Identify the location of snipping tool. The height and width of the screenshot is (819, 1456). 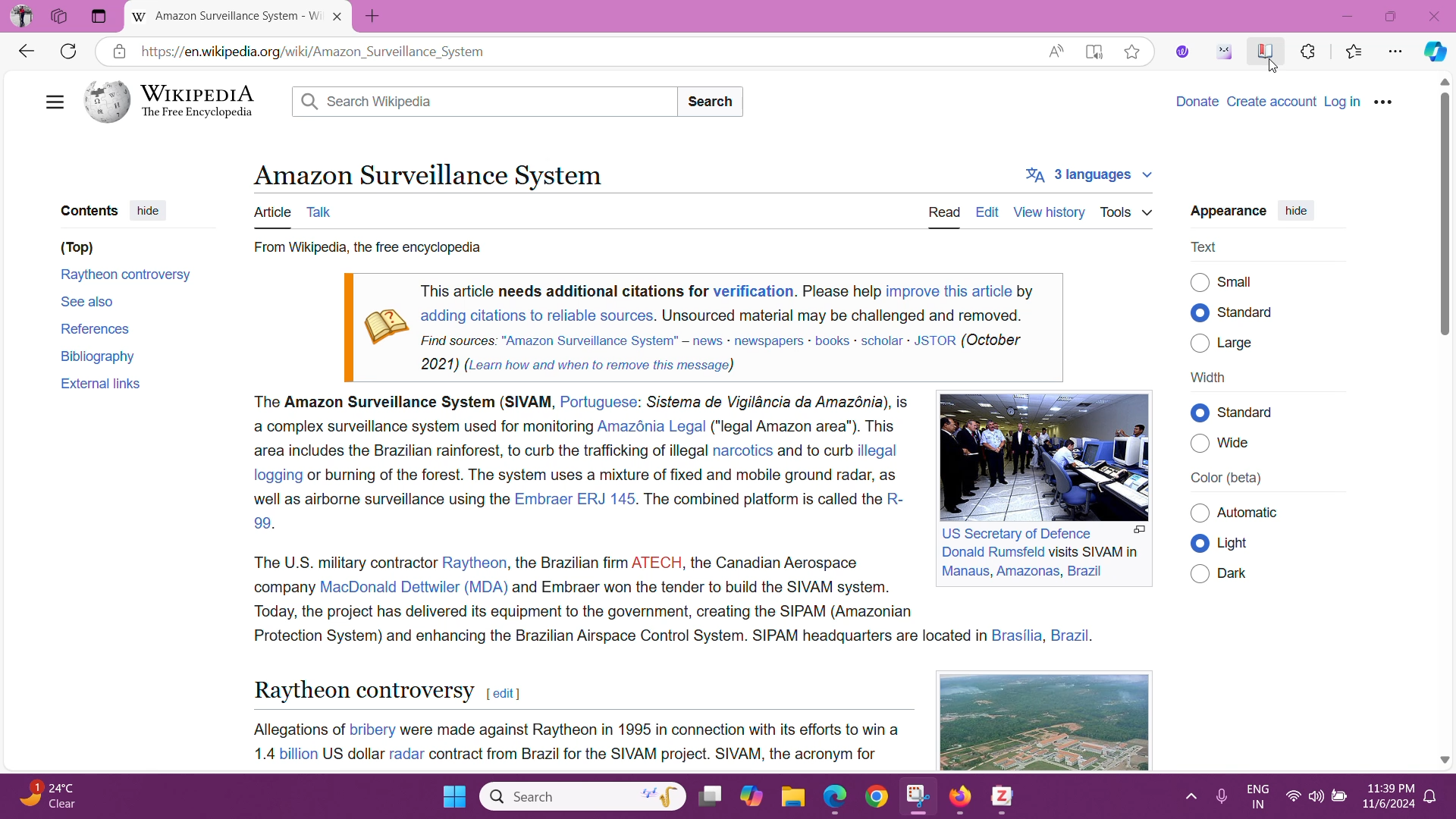
(917, 795).